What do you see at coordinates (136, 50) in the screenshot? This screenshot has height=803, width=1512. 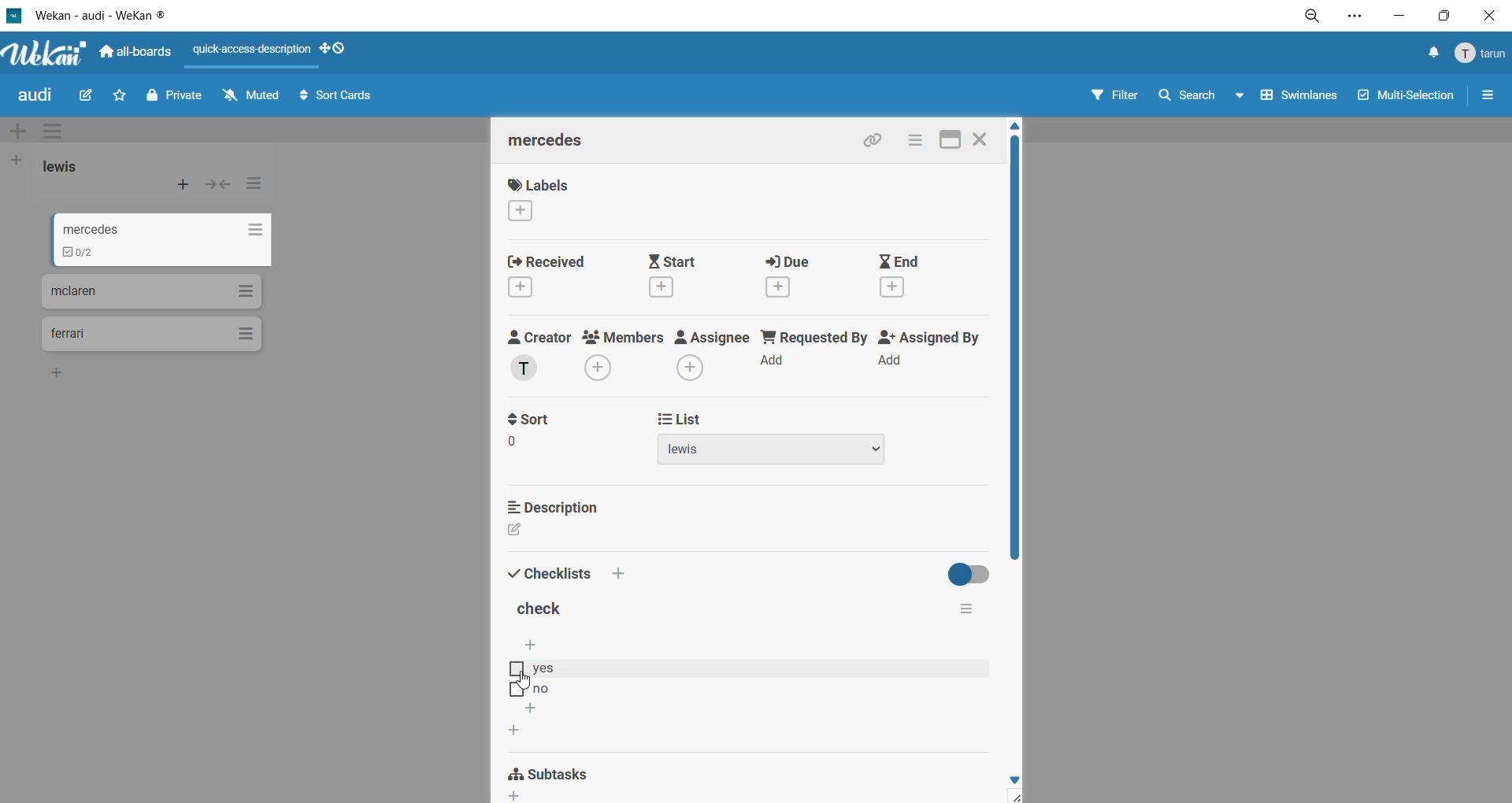 I see `all boards` at bounding box center [136, 50].